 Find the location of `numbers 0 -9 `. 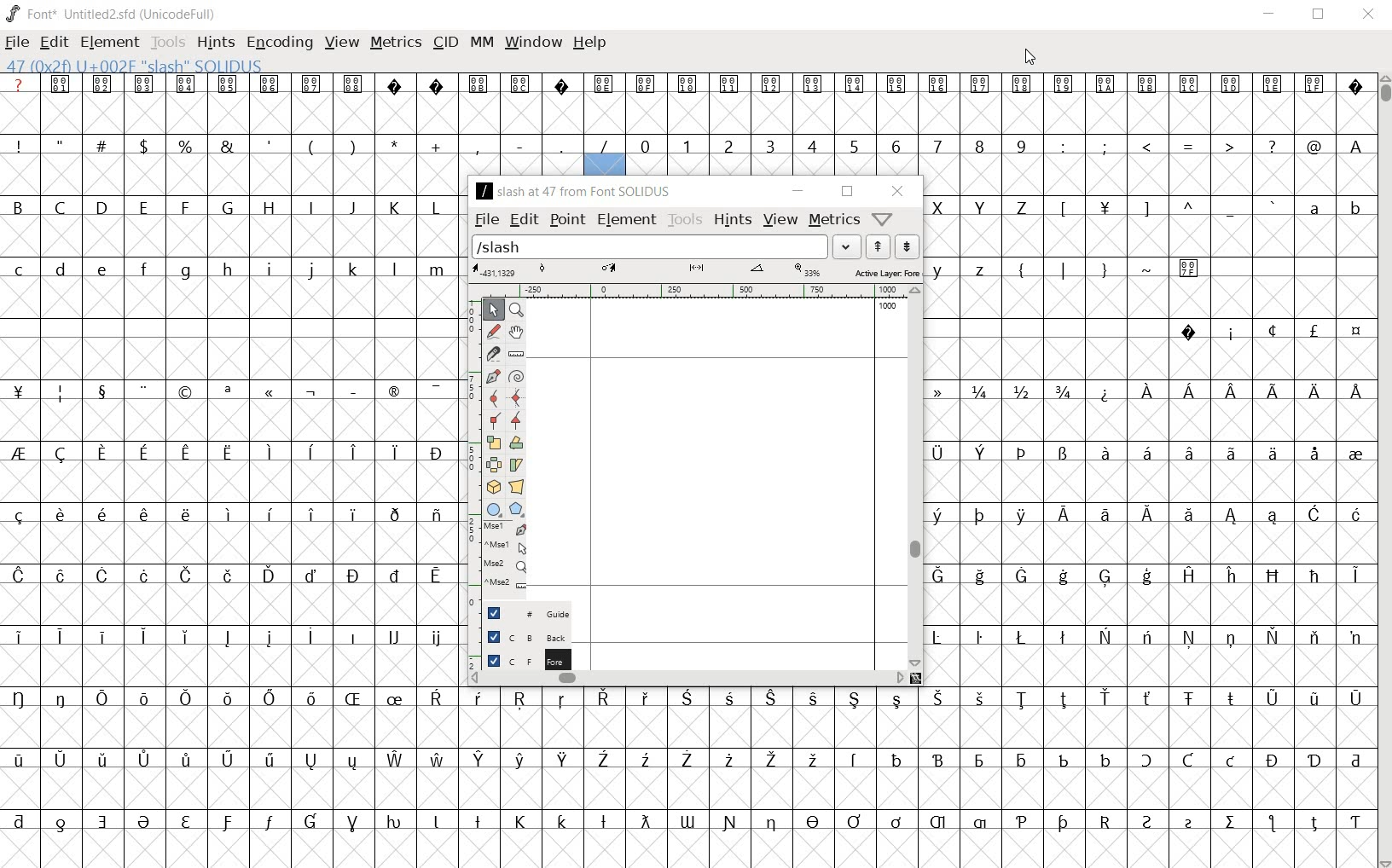

numbers 0 -9  is located at coordinates (837, 144).